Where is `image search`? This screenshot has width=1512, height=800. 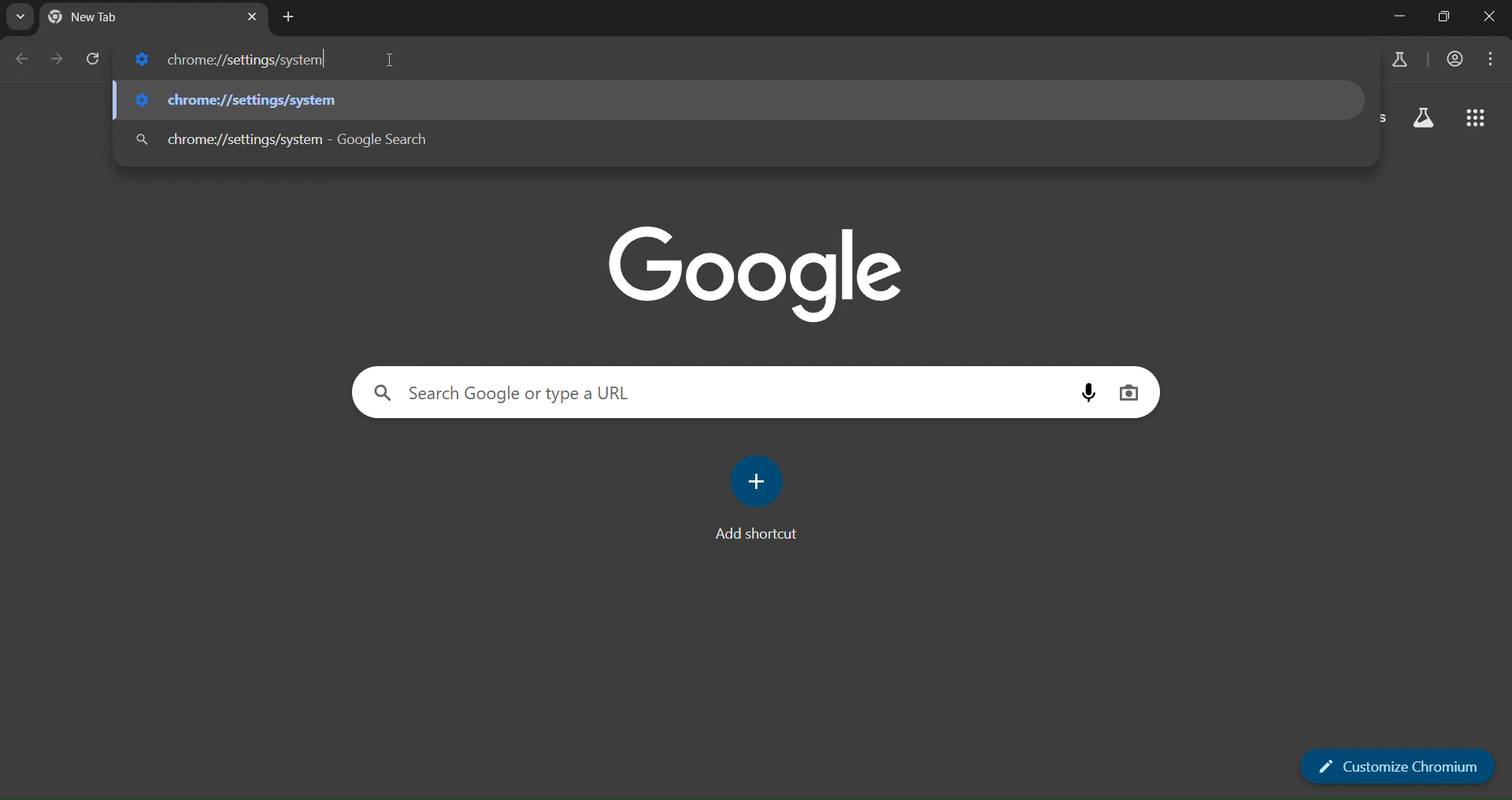
image search is located at coordinates (1130, 391).